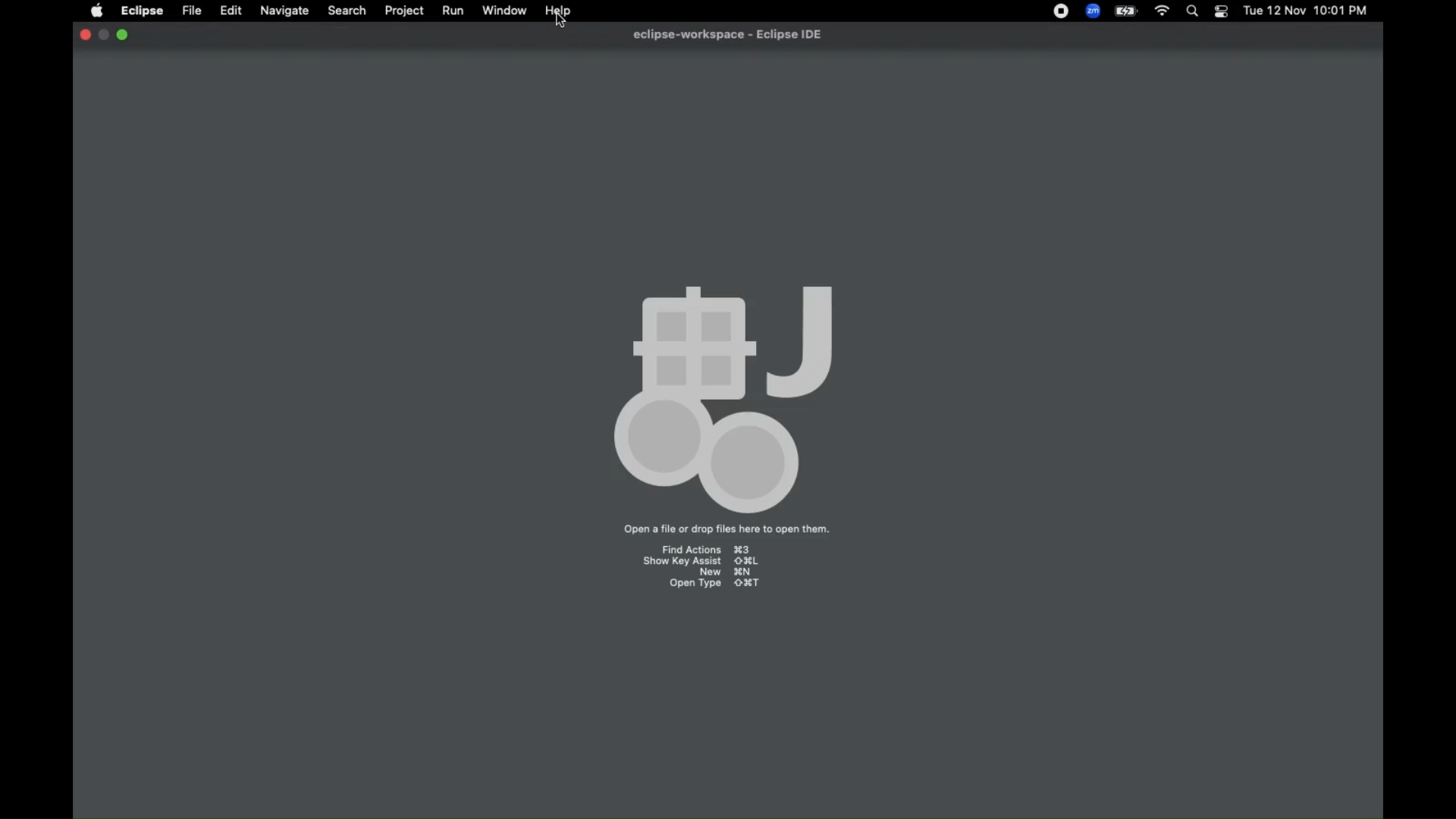 Image resolution: width=1456 pixels, height=819 pixels. Describe the element at coordinates (347, 12) in the screenshot. I see `Search` at that location.